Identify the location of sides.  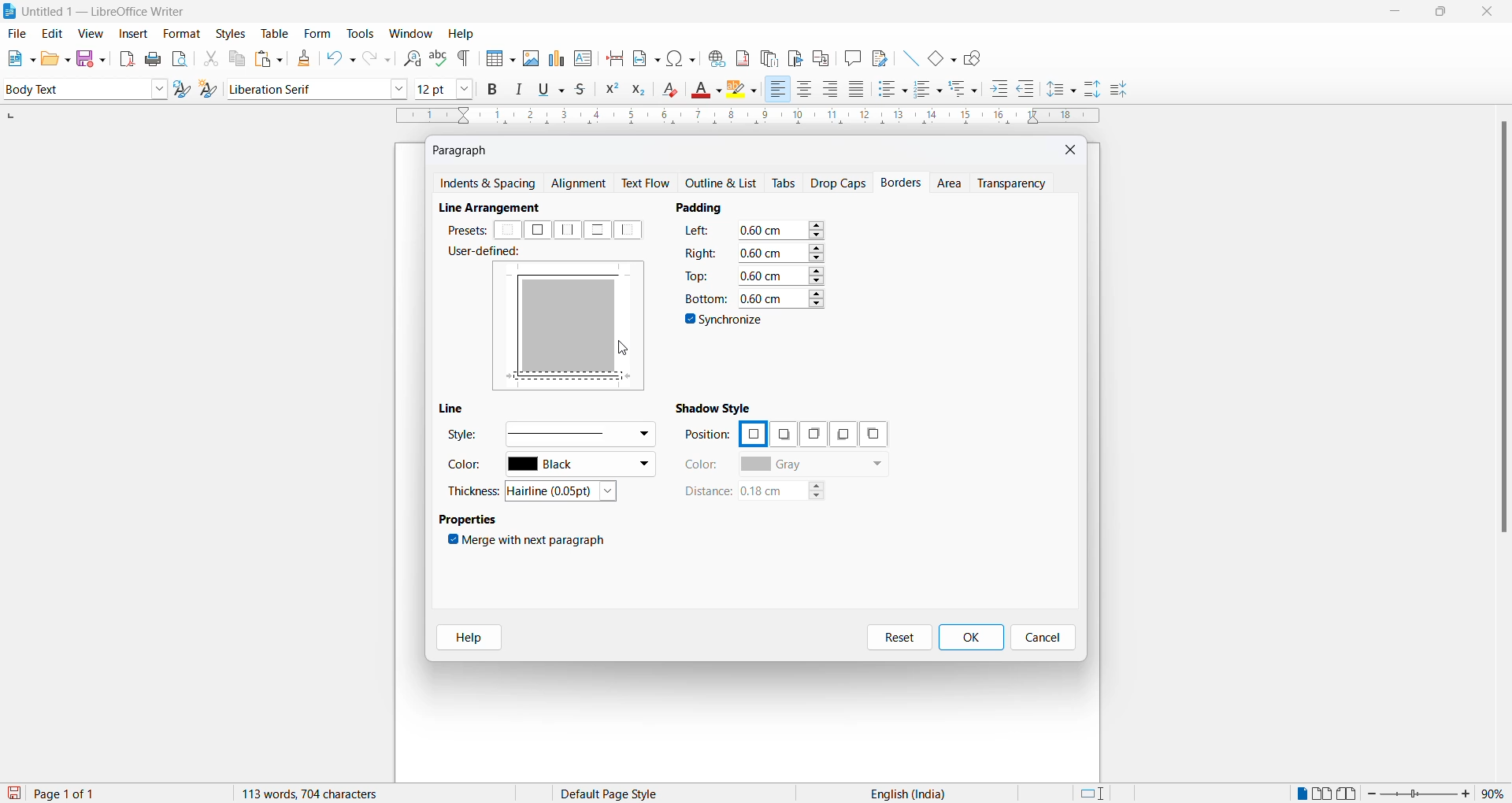
(701, 233).